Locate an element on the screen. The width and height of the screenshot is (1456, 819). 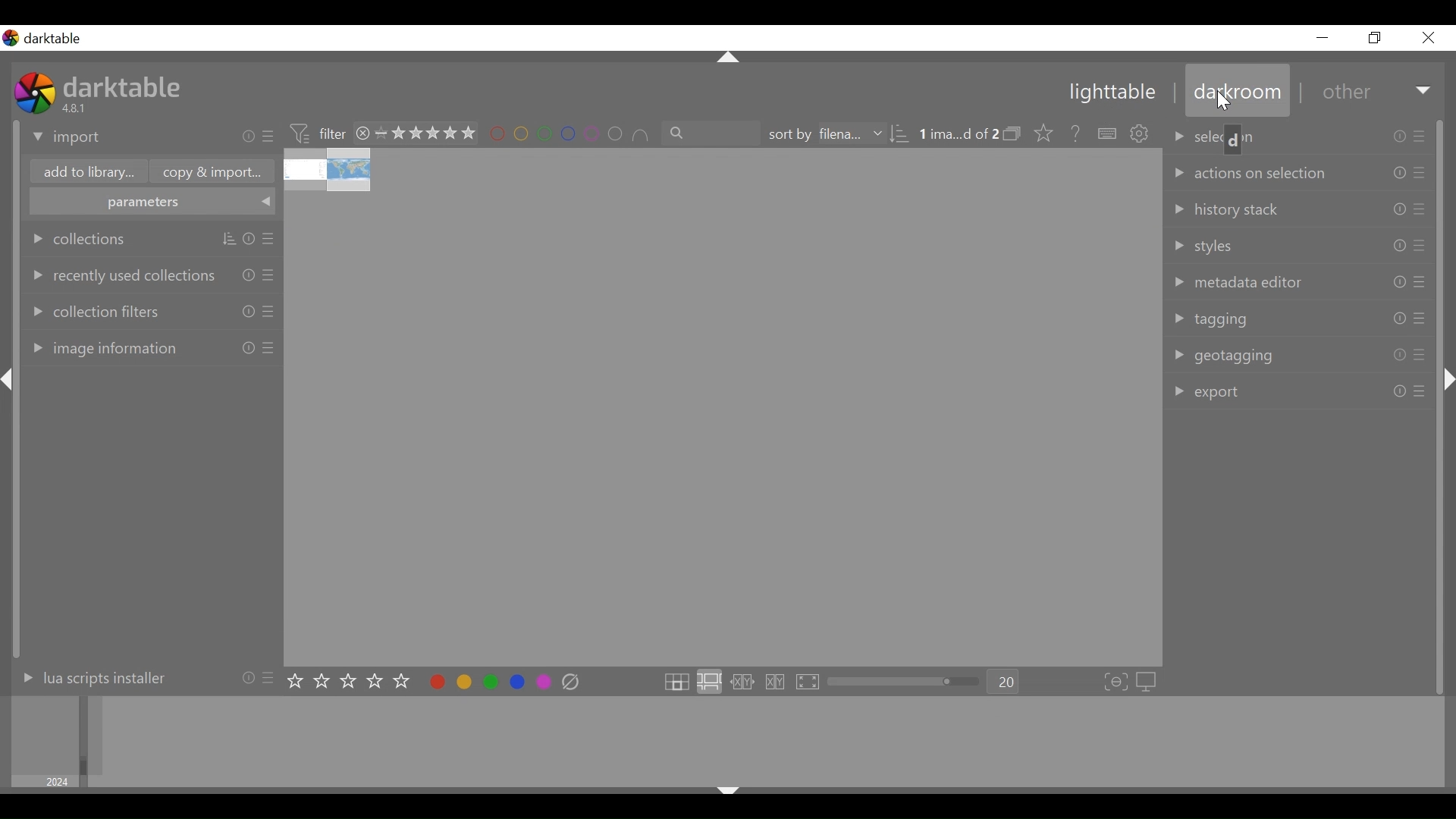
filter is located at coordinates (313, 133).